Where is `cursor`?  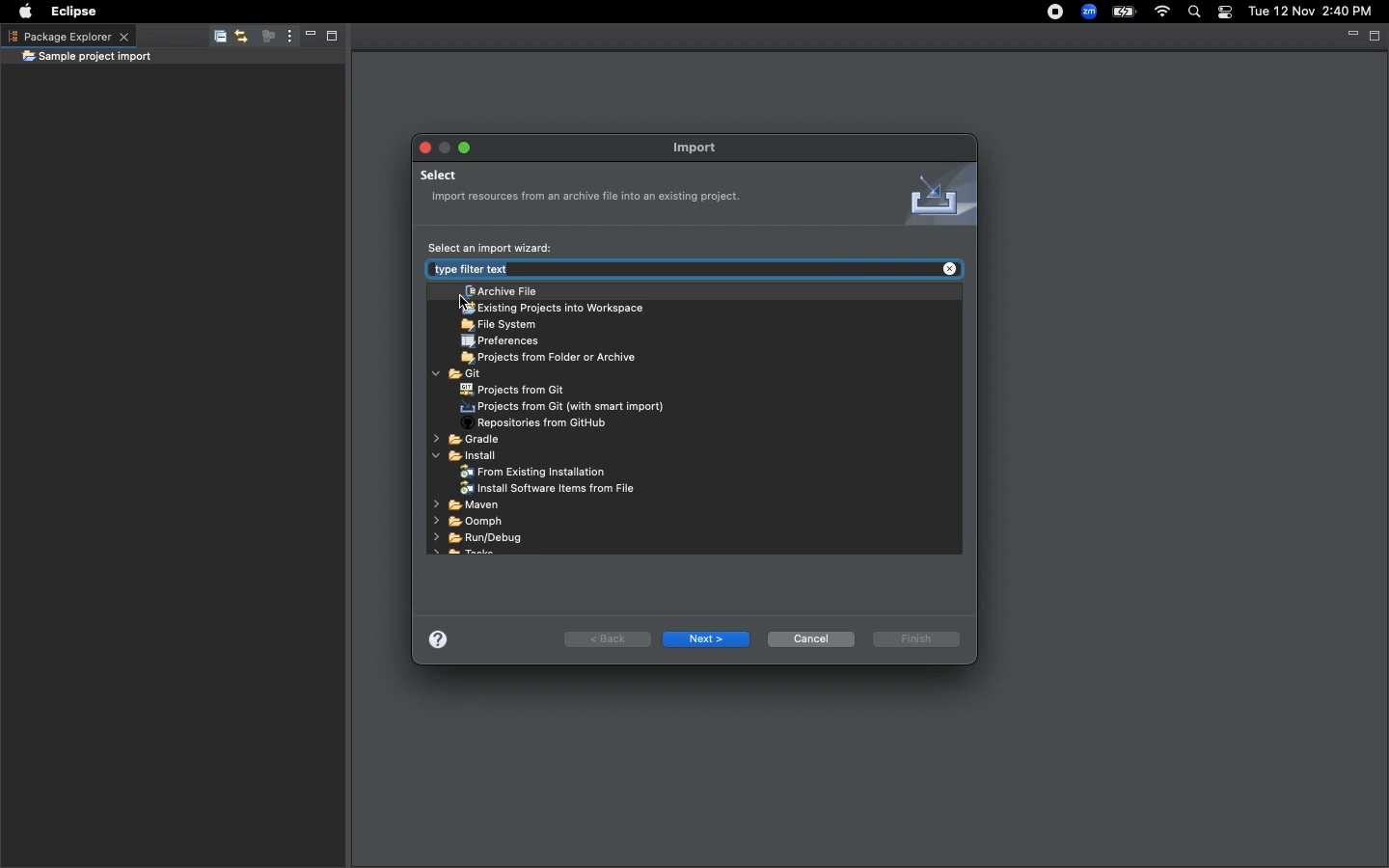 cursor is located at coordinates (453, 305).